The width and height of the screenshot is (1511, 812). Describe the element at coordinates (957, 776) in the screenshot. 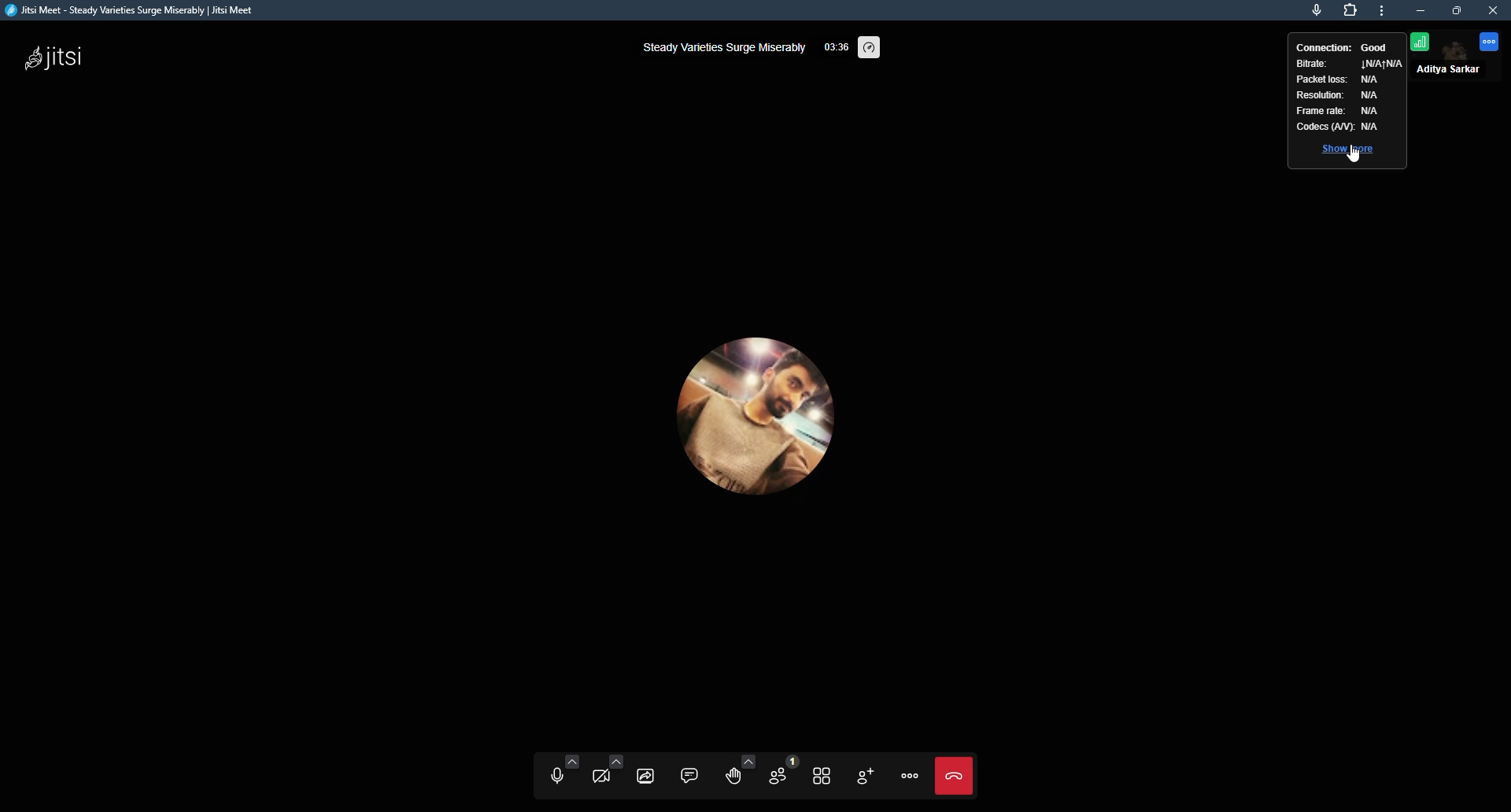

I see `end call` at that location.